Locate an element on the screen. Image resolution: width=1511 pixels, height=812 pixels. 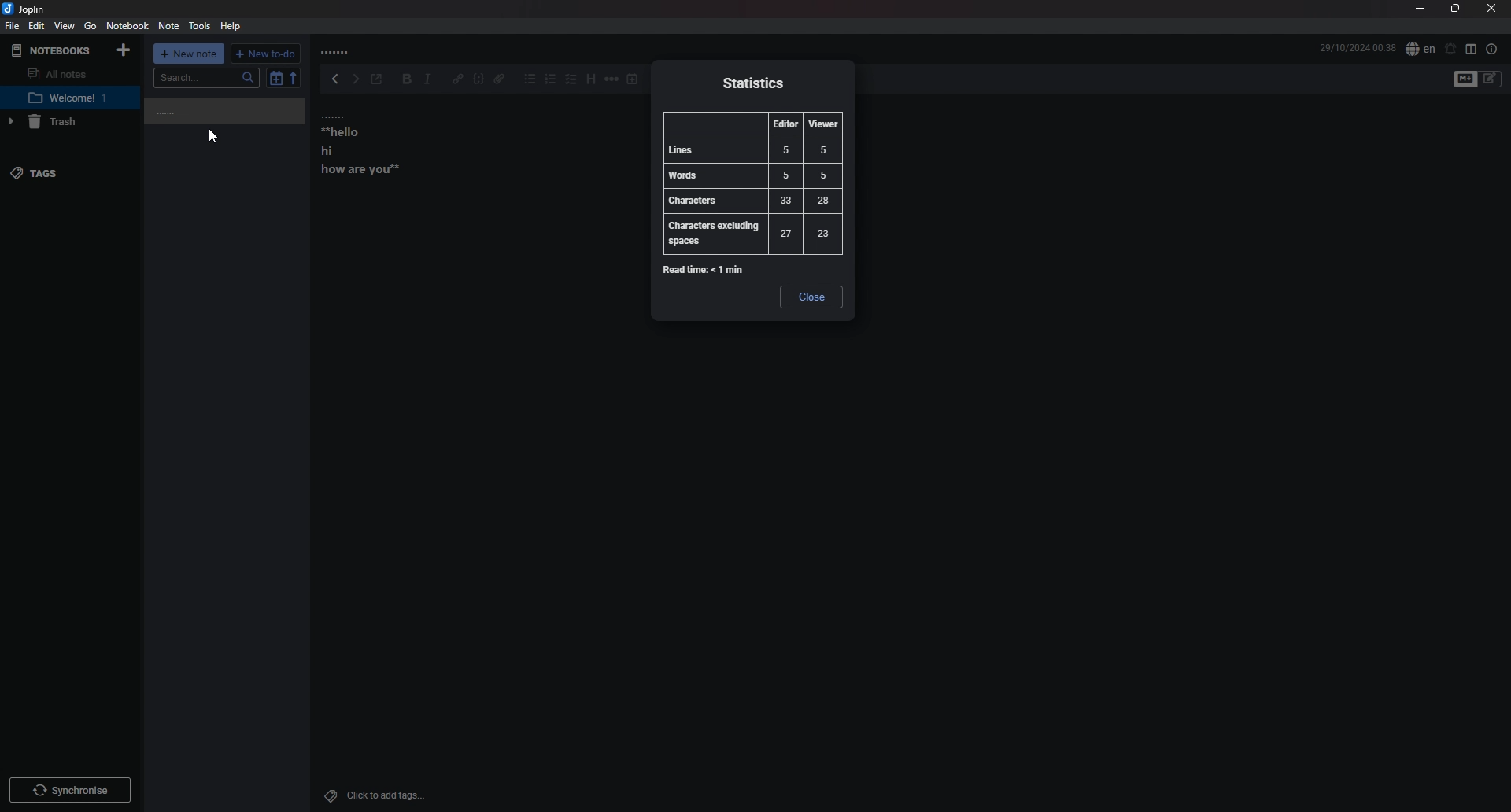
Horizontal rule is located at coordinates (611, 79).